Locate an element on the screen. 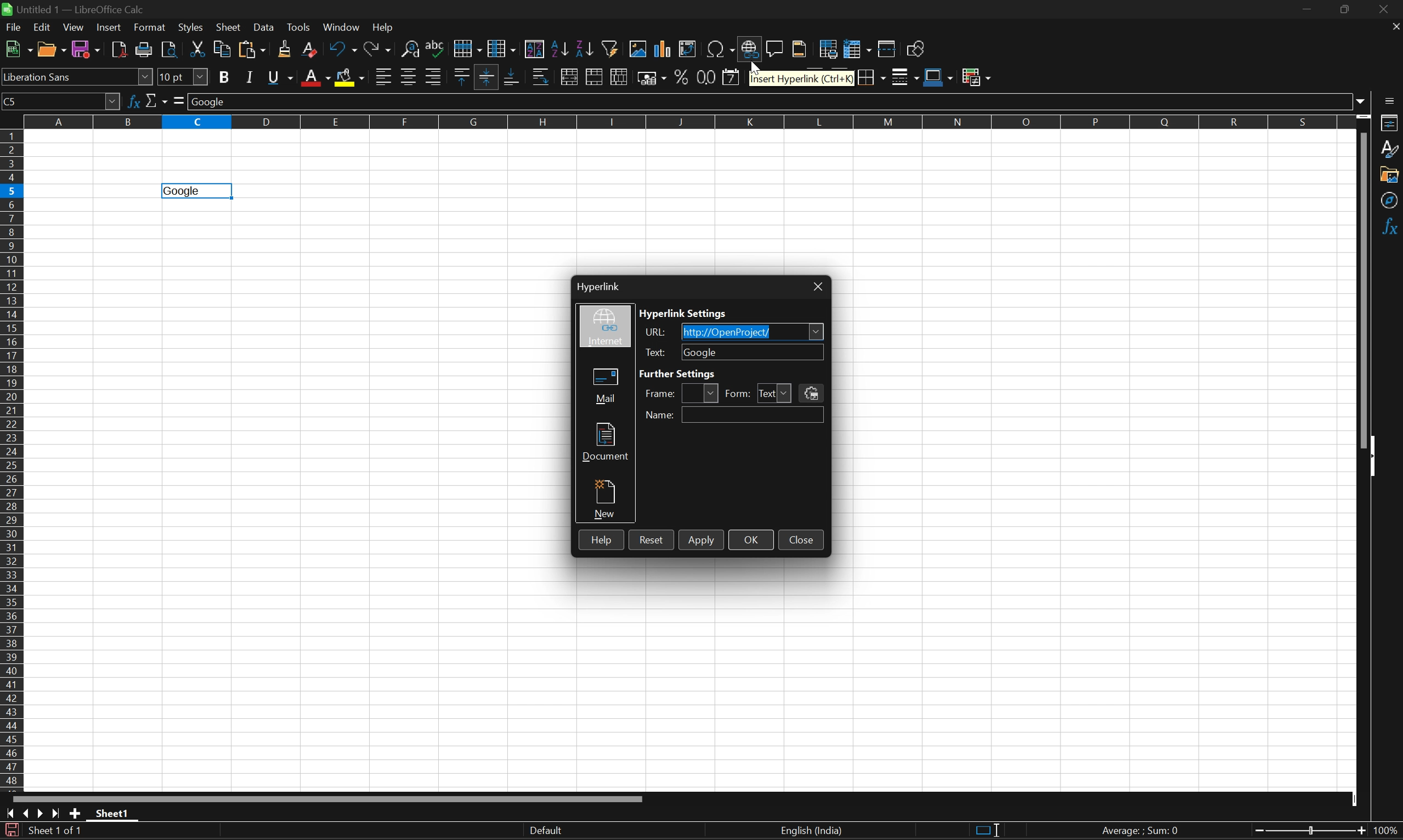 This screenshot has height=840, width=1403. Sidebar settings is located at coordinates (1391, 100).